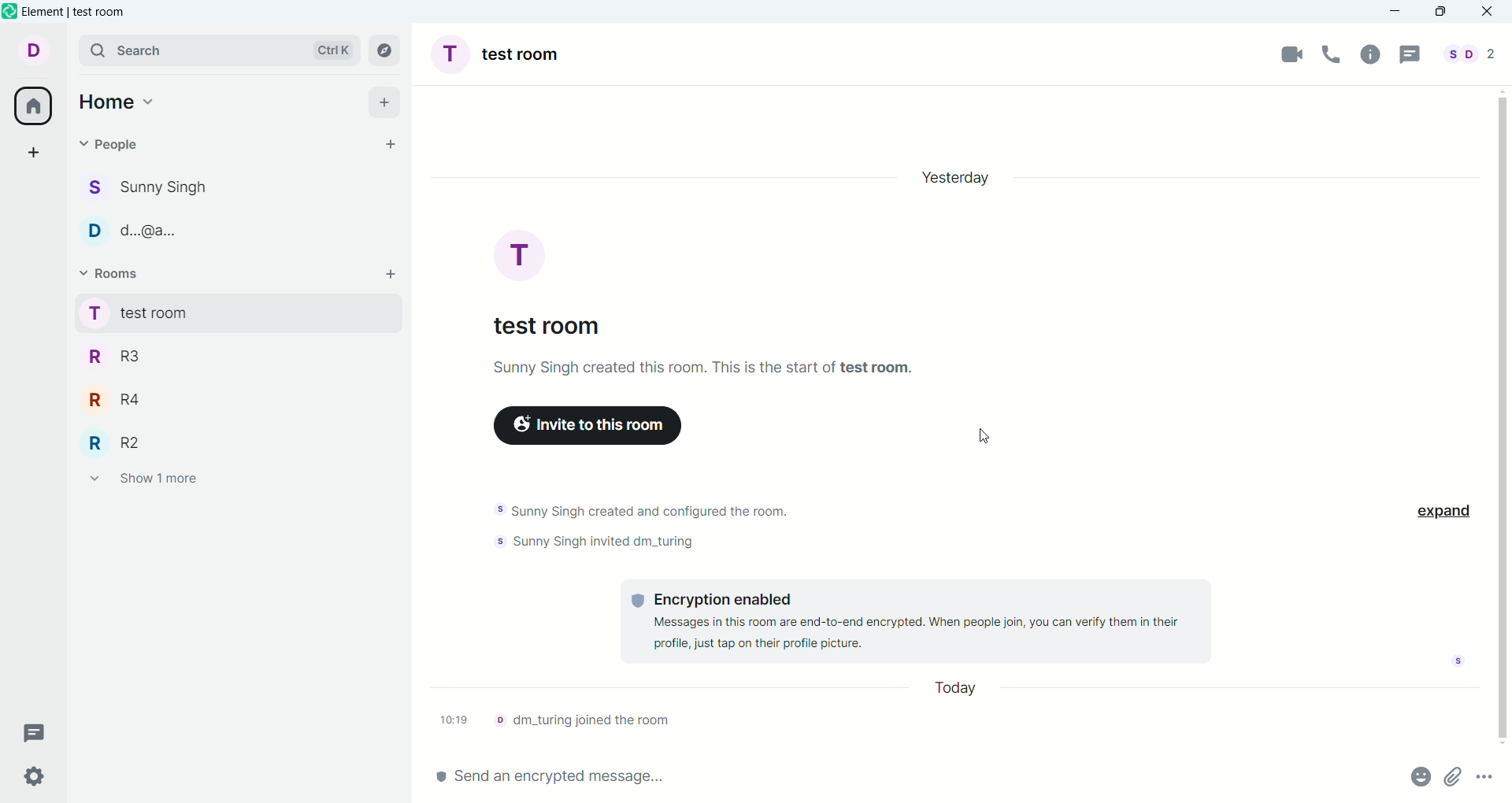 The width and height of the screenshot is (1512, 803). I want to click on voice call, so click(1332, 54).